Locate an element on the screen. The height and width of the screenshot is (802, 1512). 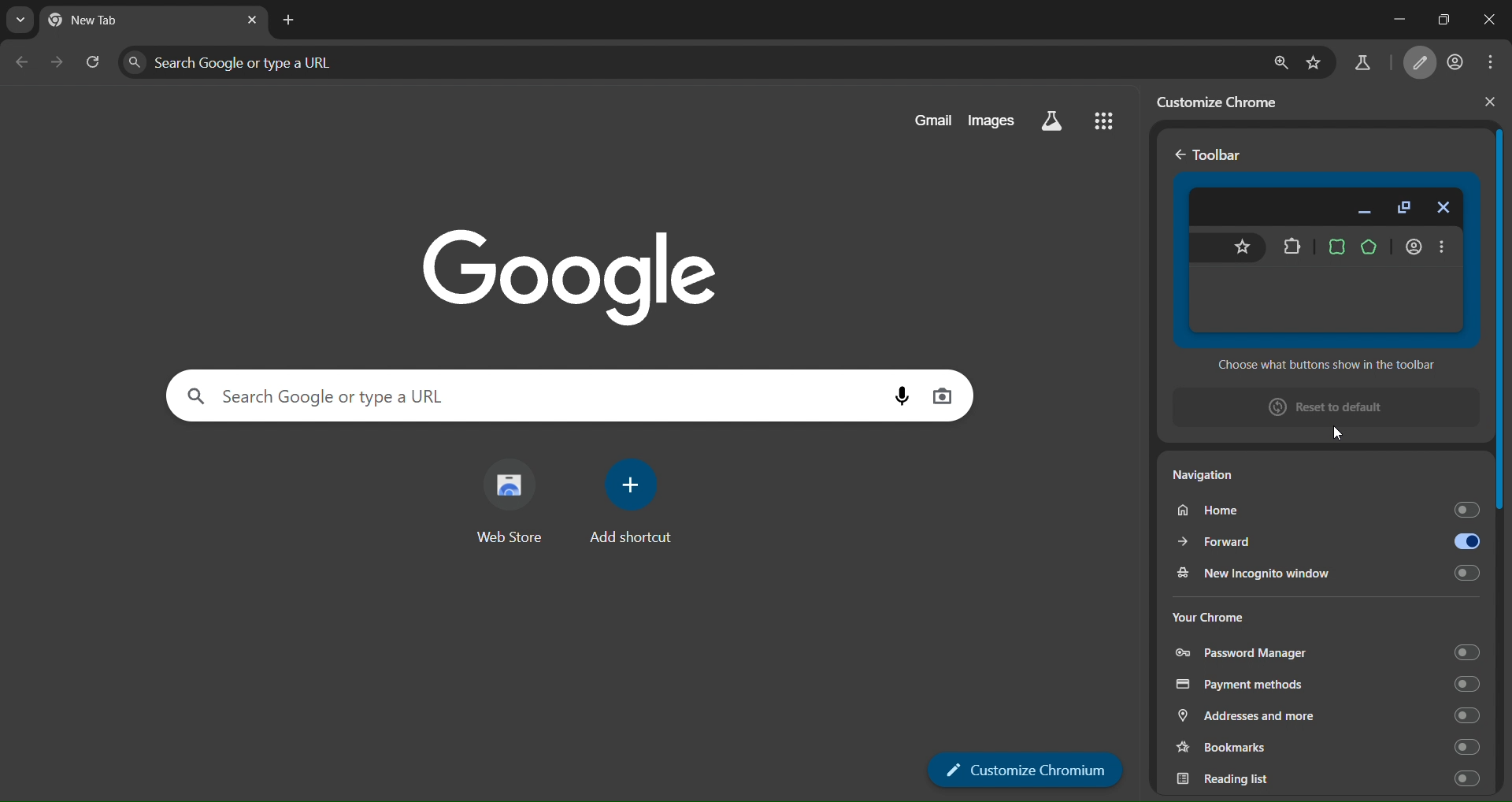
go back one page is located at coordinates (20, 64).